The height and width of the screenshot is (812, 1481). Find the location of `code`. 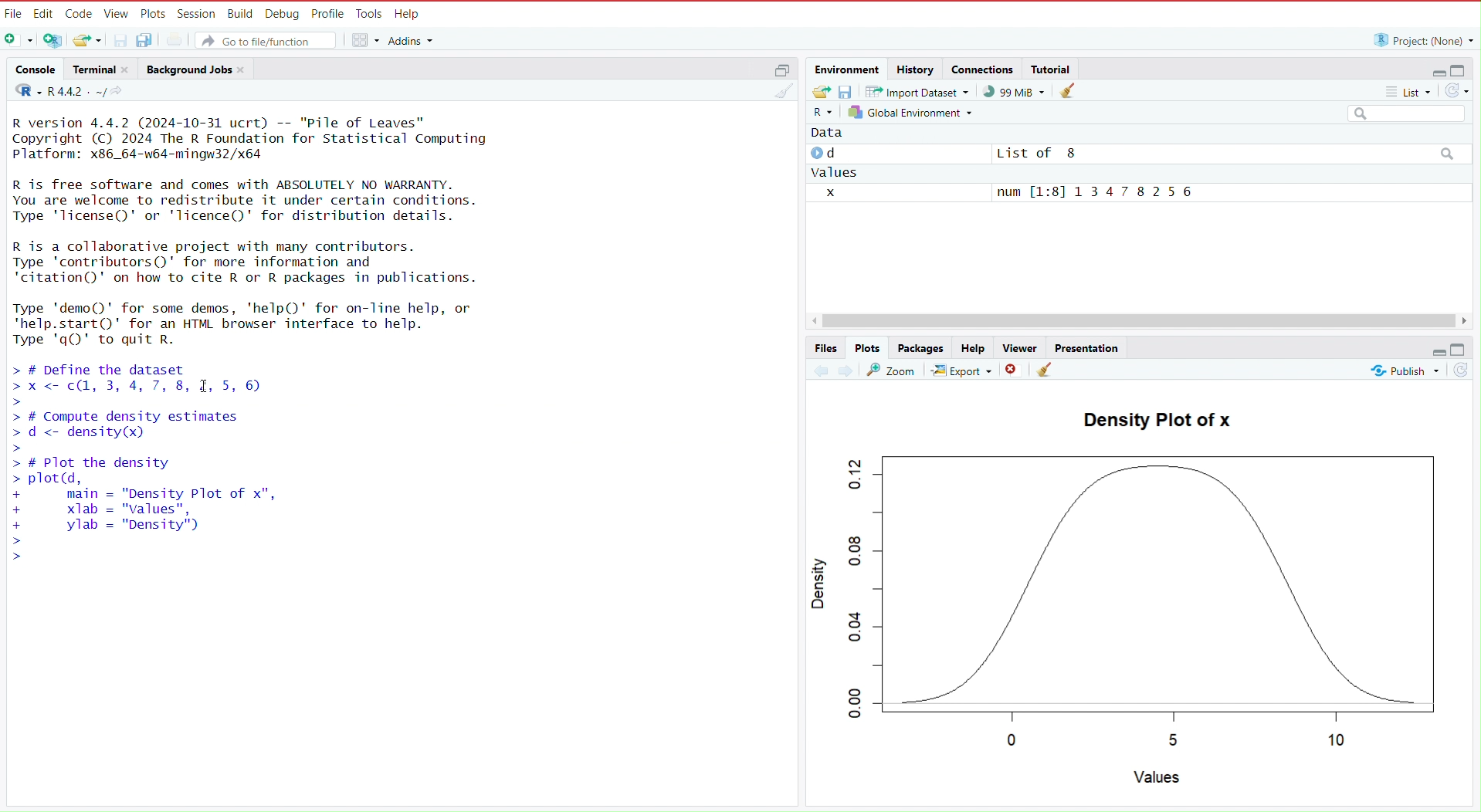

code is located at coordinates (80, 12).